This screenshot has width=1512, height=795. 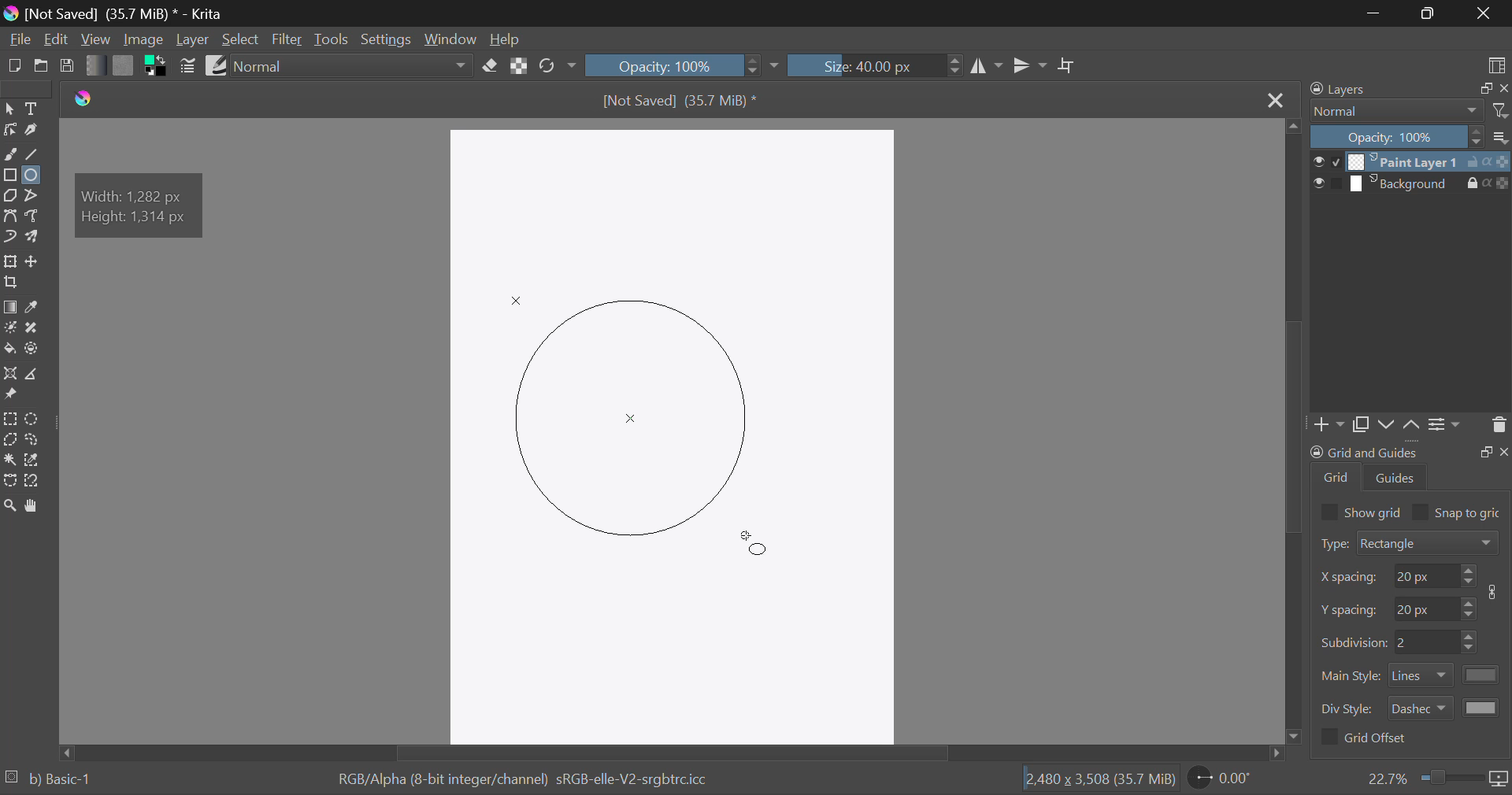 What do you see at coordinates (384, 39) in the screenshot?
I see `Settings` at bounding box center [384, 39].